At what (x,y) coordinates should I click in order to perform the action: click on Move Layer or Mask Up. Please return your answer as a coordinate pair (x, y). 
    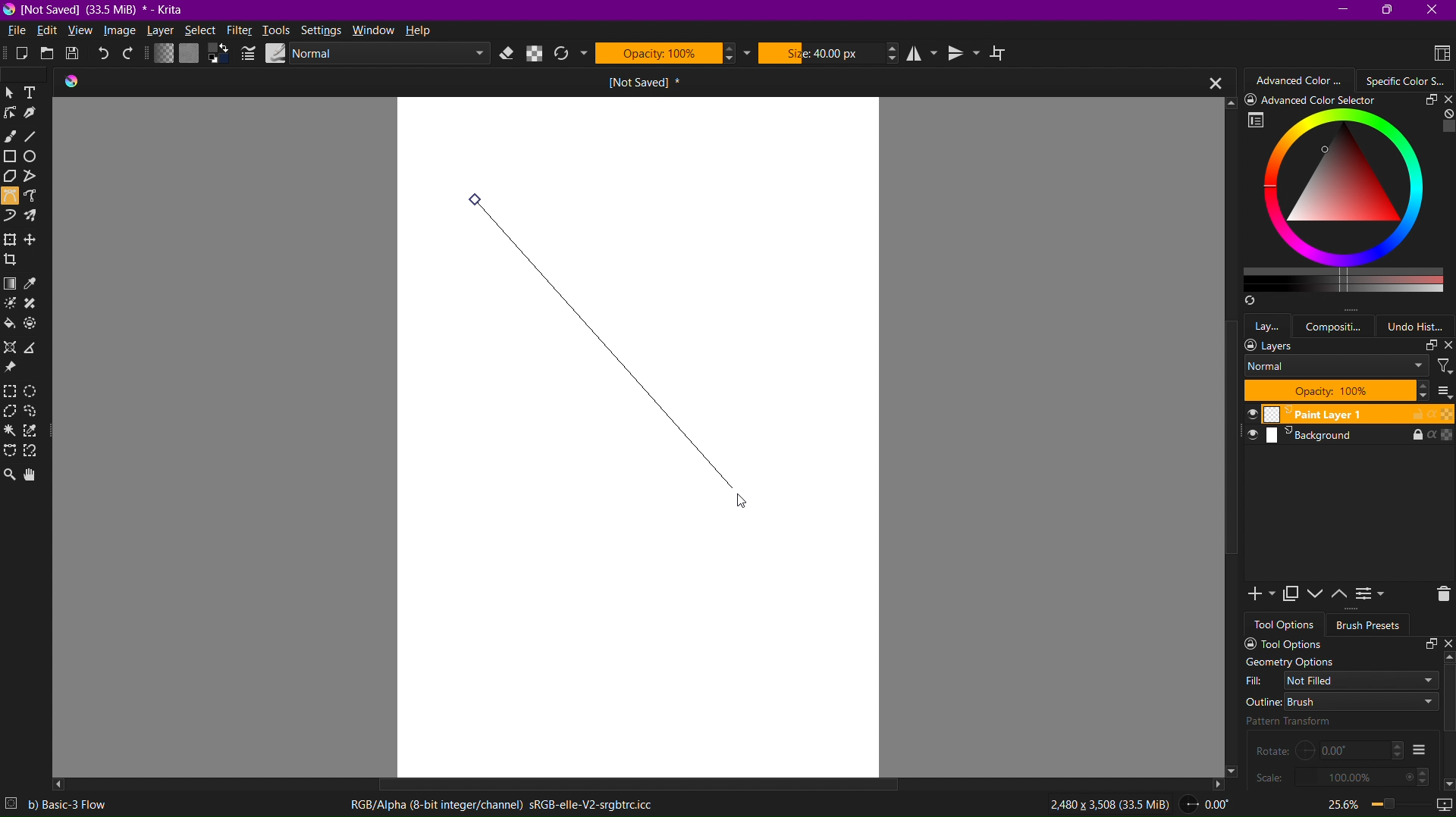
    Looking at the image, I should click on (1342, 594).